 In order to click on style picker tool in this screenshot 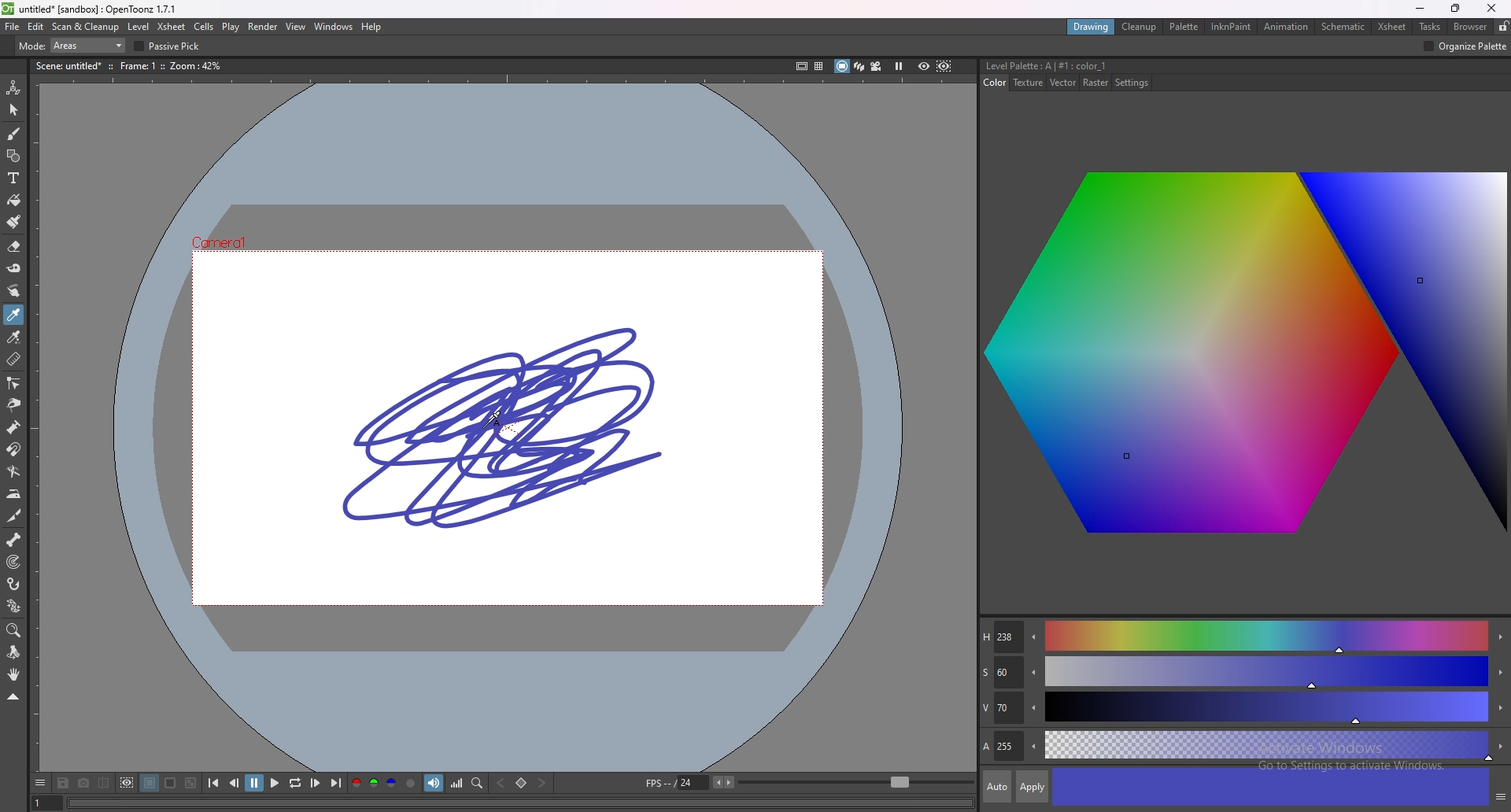, I will do `click(14, 315)`.